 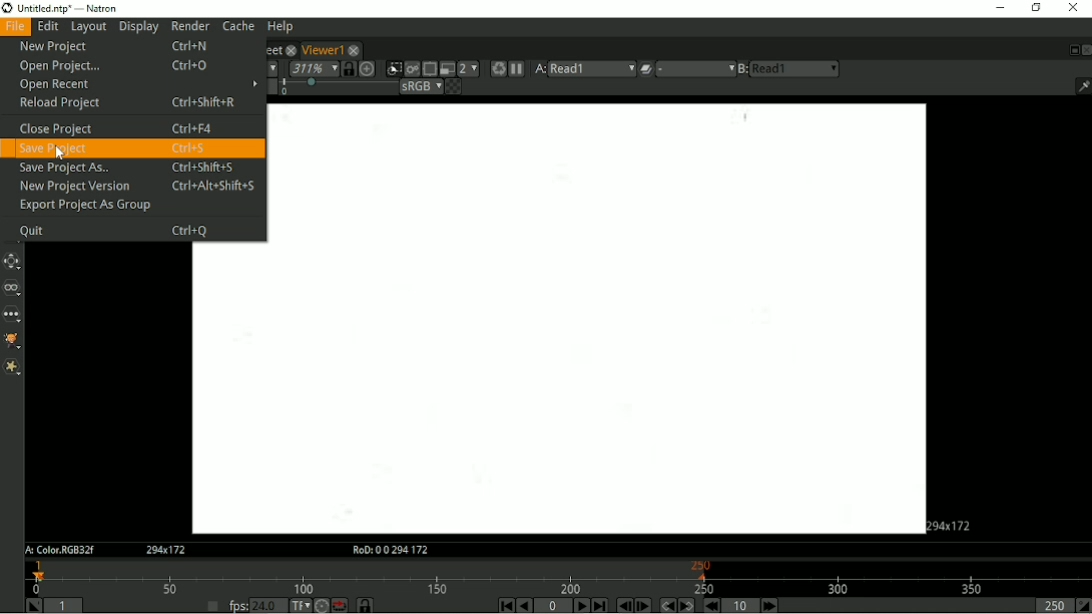 What do you see at coordinates (592, 69) in the screenshot?
I see `read1` at bounding box center [592, 69].